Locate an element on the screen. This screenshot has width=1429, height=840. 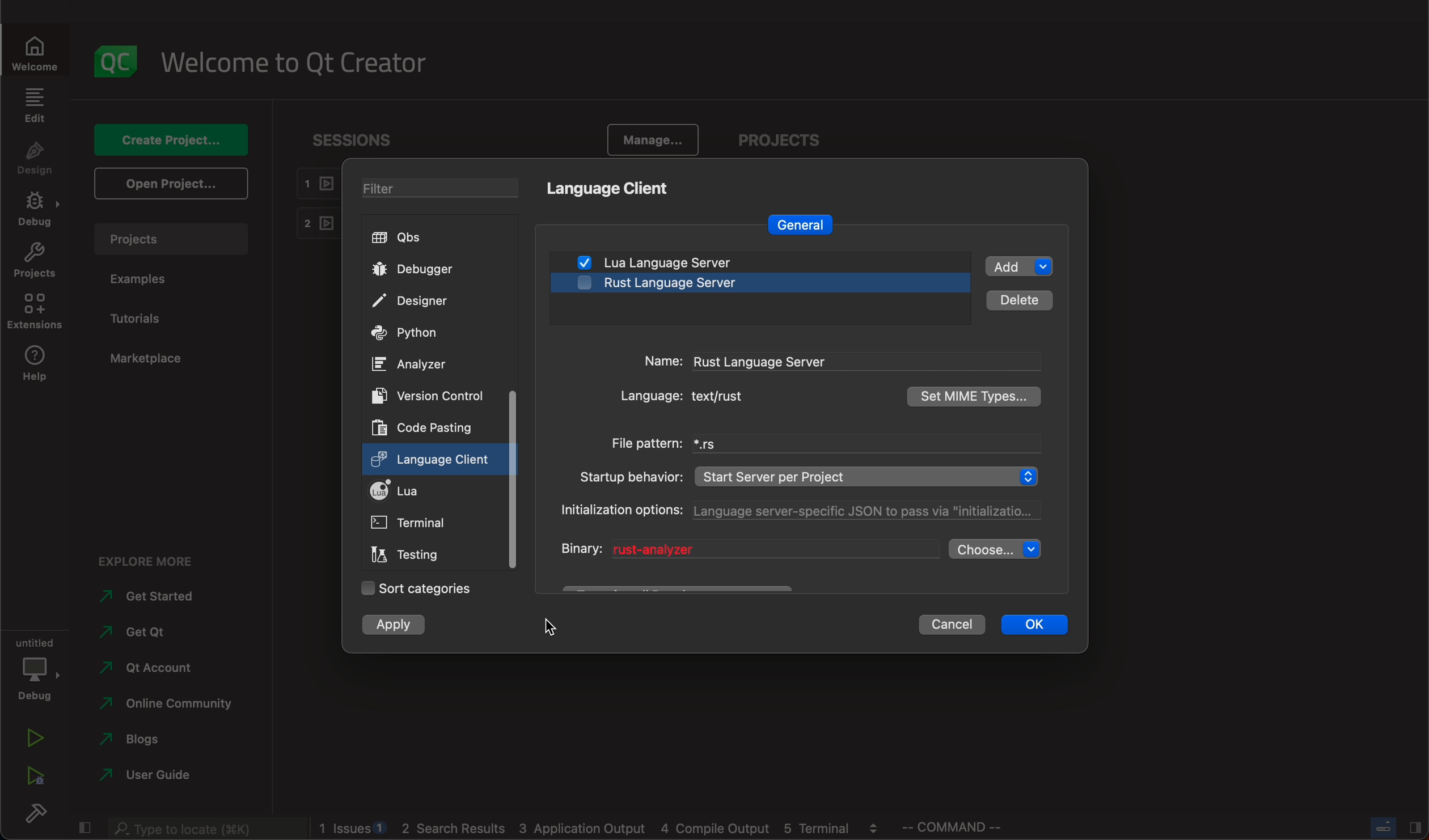
get qt is located at coordinates (150, 634).